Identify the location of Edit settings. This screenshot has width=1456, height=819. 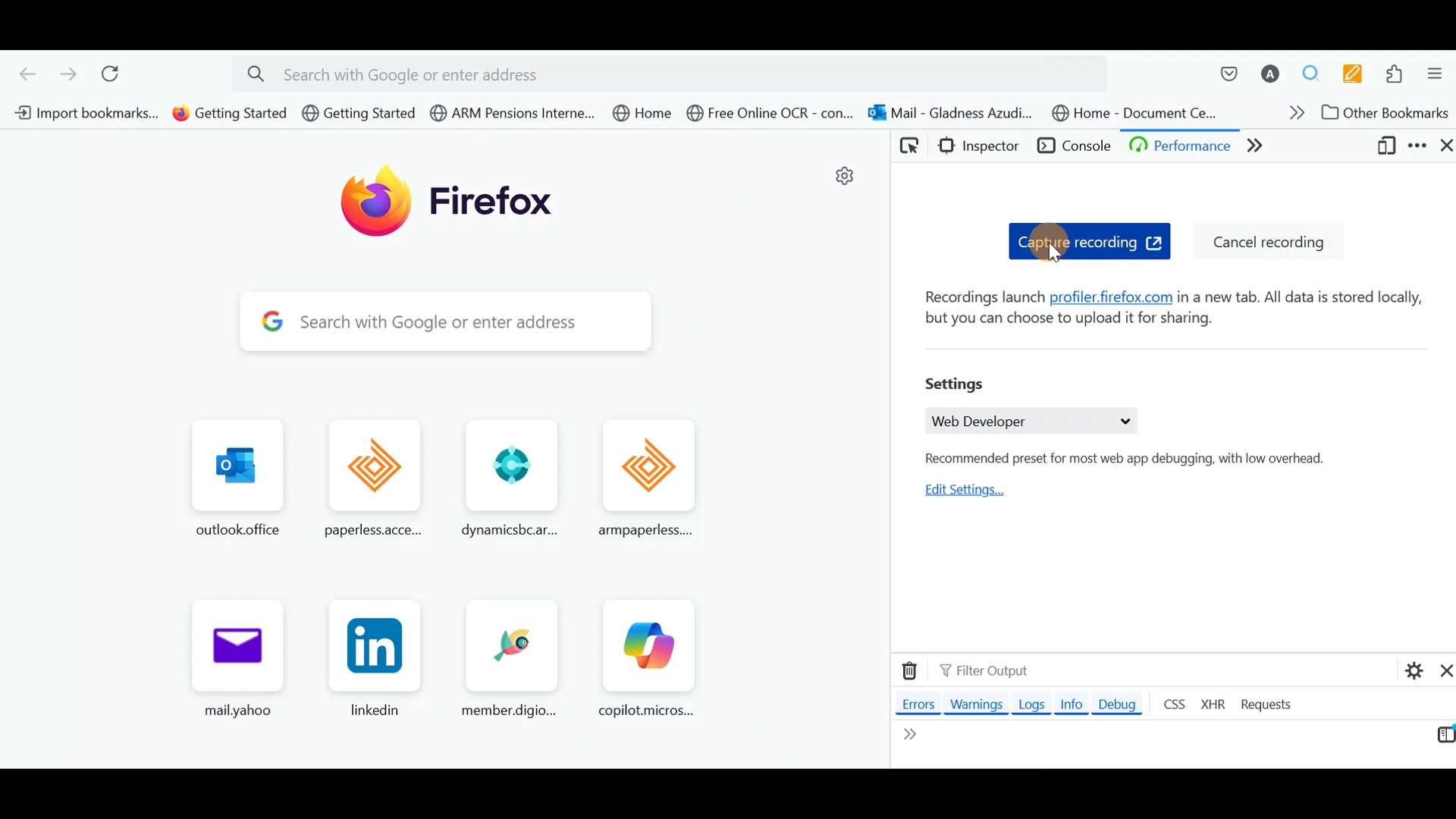
(968, 497).